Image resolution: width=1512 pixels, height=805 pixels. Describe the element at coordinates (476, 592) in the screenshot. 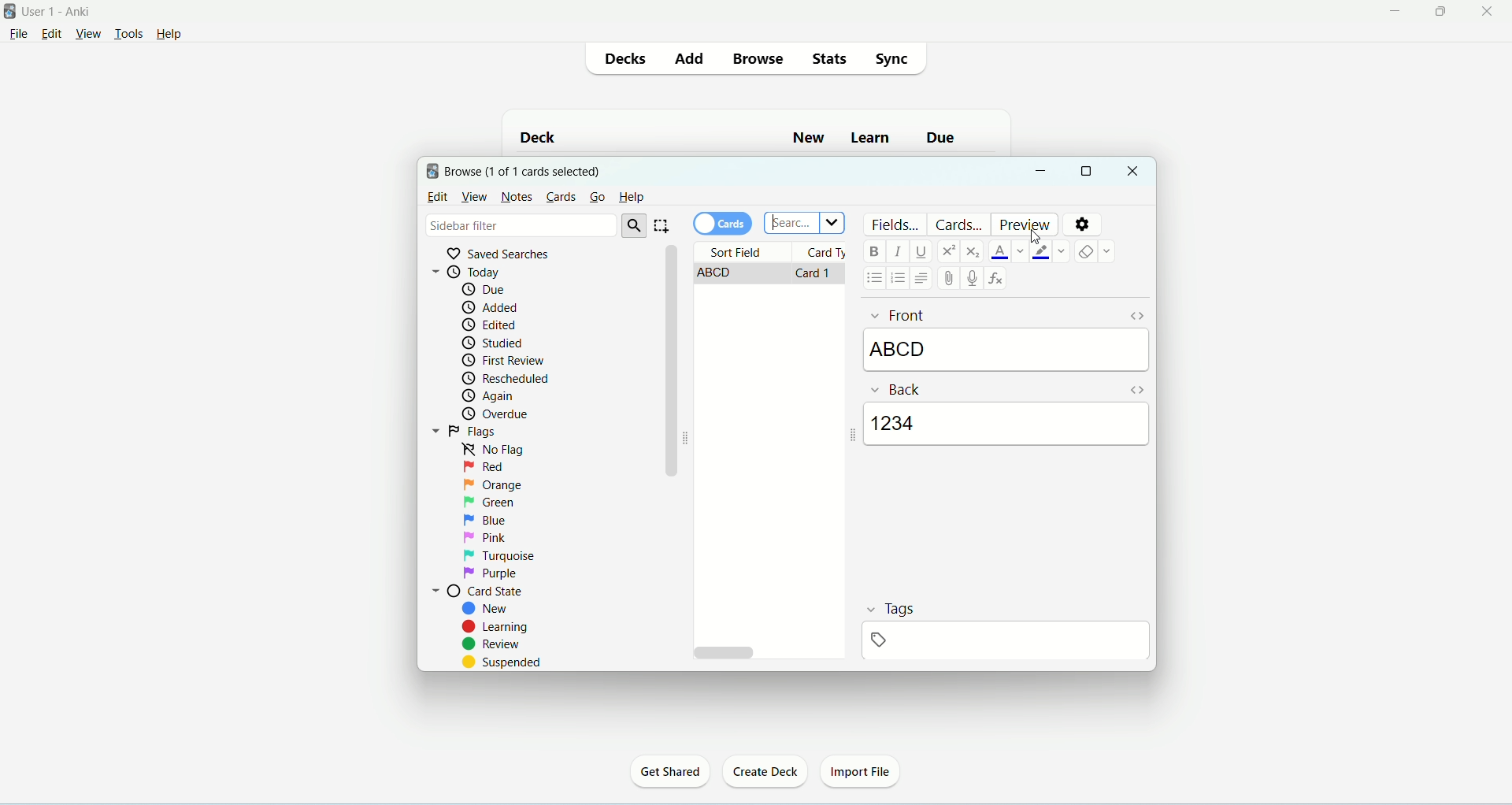

I see `card state` at that location.